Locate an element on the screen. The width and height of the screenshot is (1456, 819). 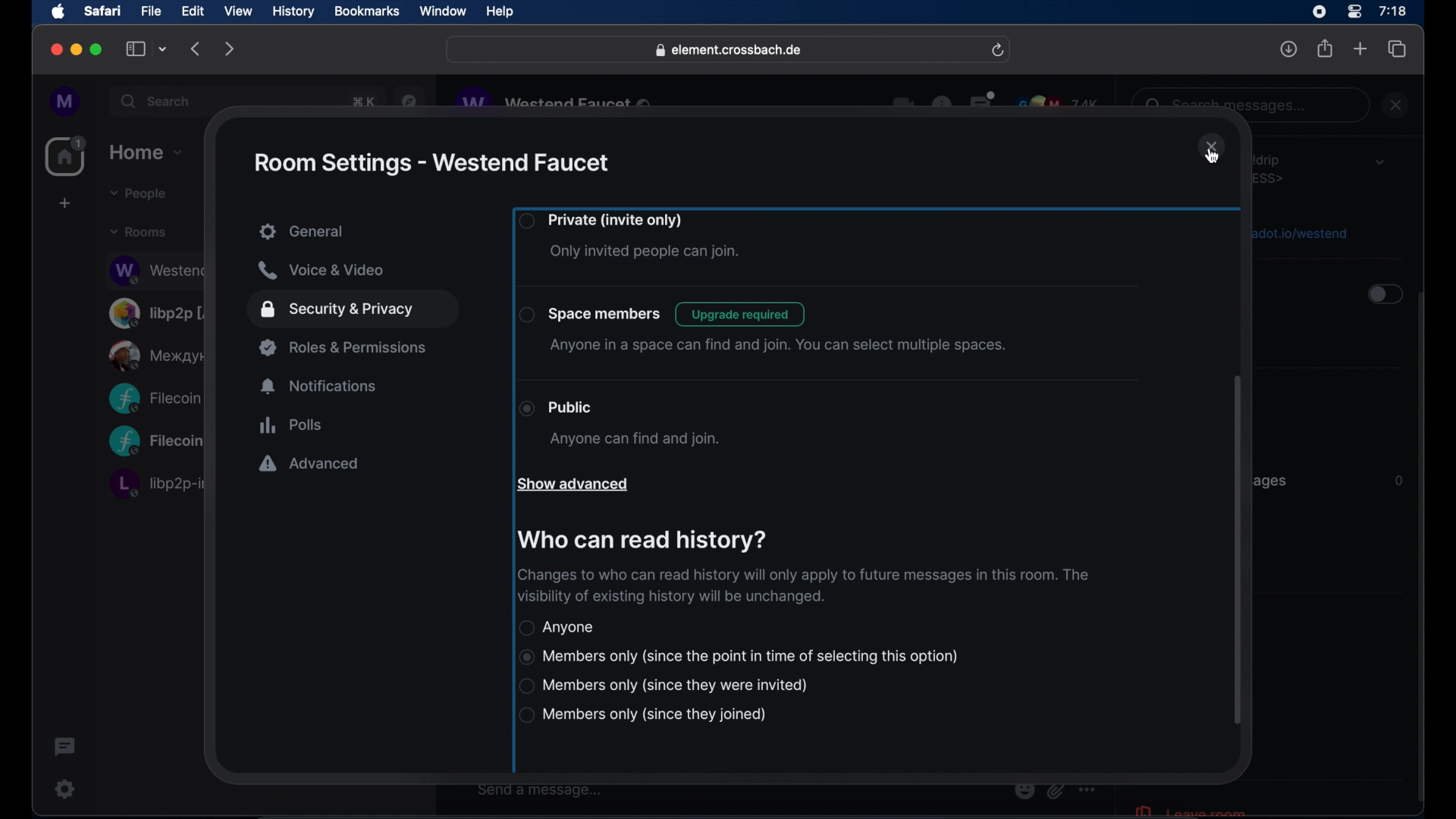
obscure is located at coordinates (1272, 481).